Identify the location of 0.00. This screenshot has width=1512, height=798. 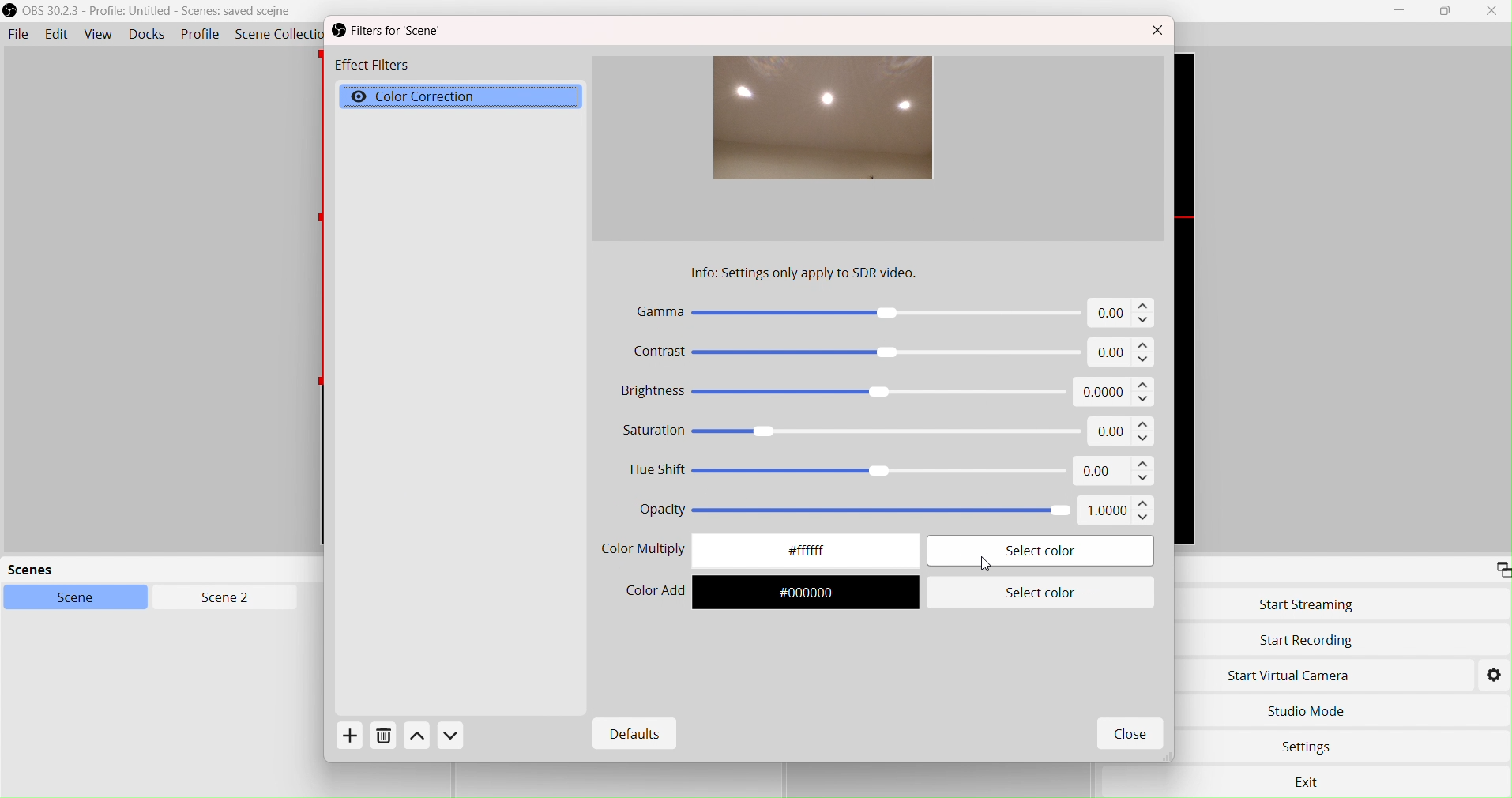
(1123, 352).